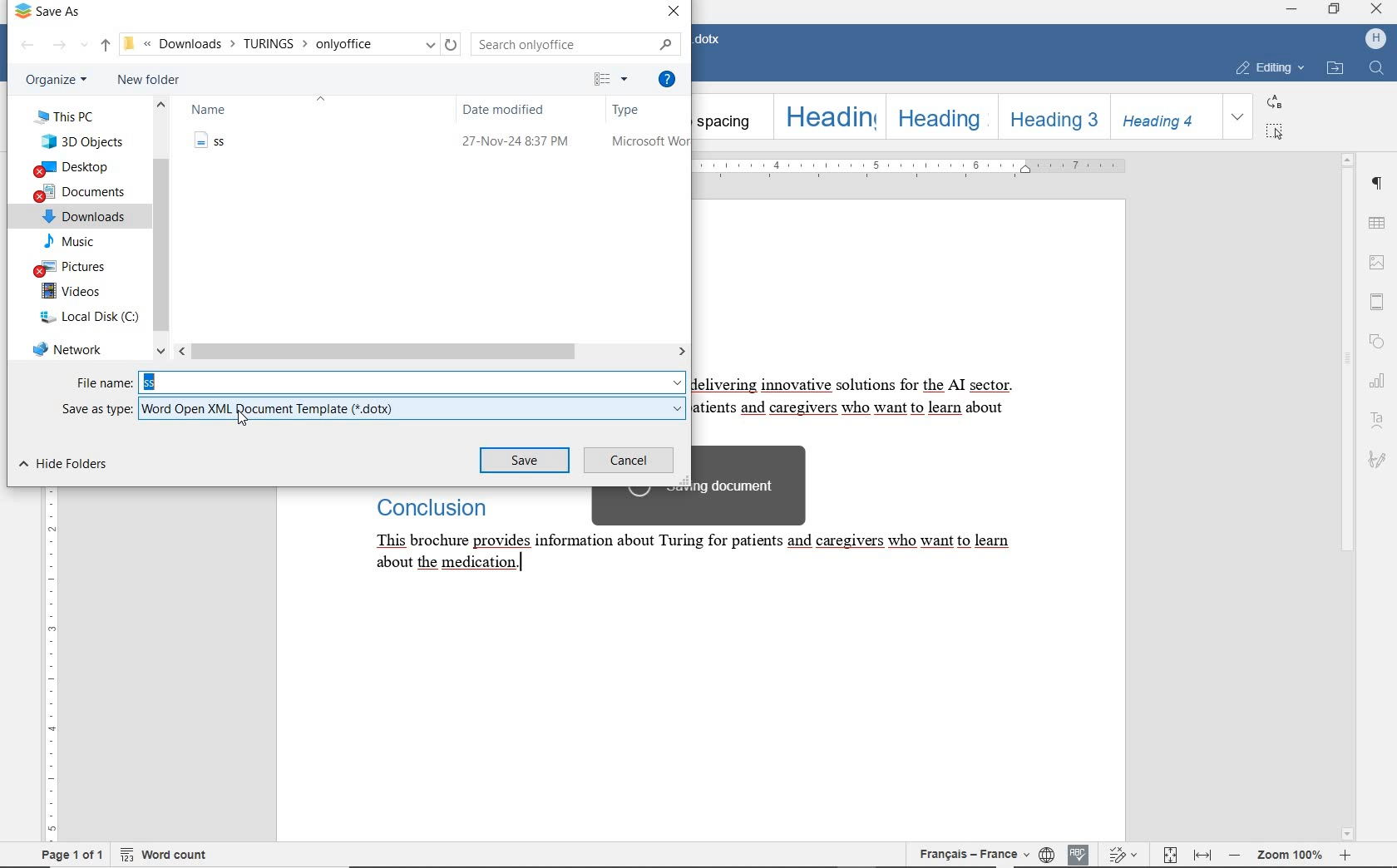 This screenshot has width=1397, height=868. Describe the element at coordinates (1376, 70) in the screenshot. I see `FIND` at that location.